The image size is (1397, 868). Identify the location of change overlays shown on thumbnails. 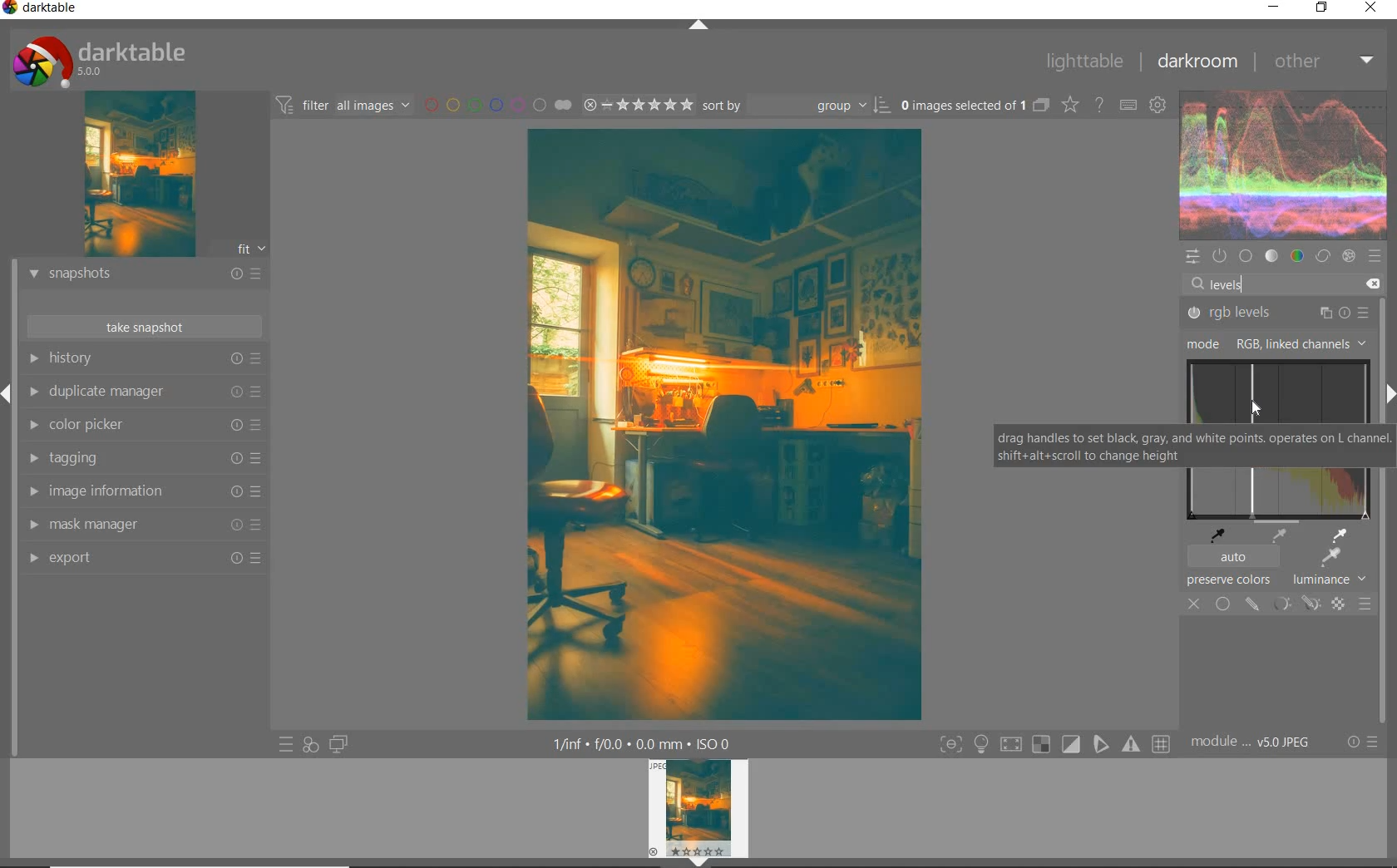
(1071, 106).